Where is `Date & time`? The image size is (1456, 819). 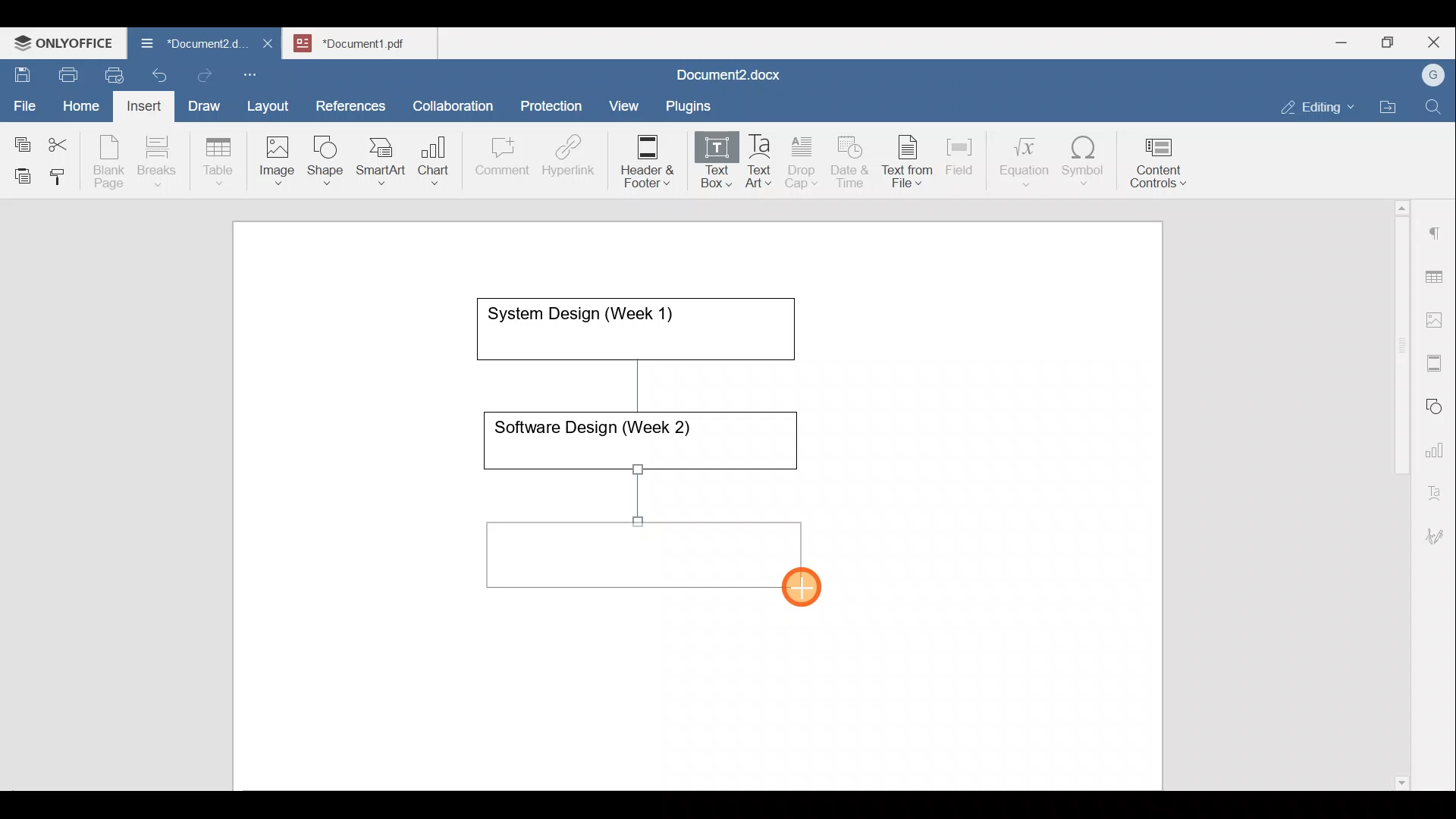 Date & time is located at coordinates (851, 159).